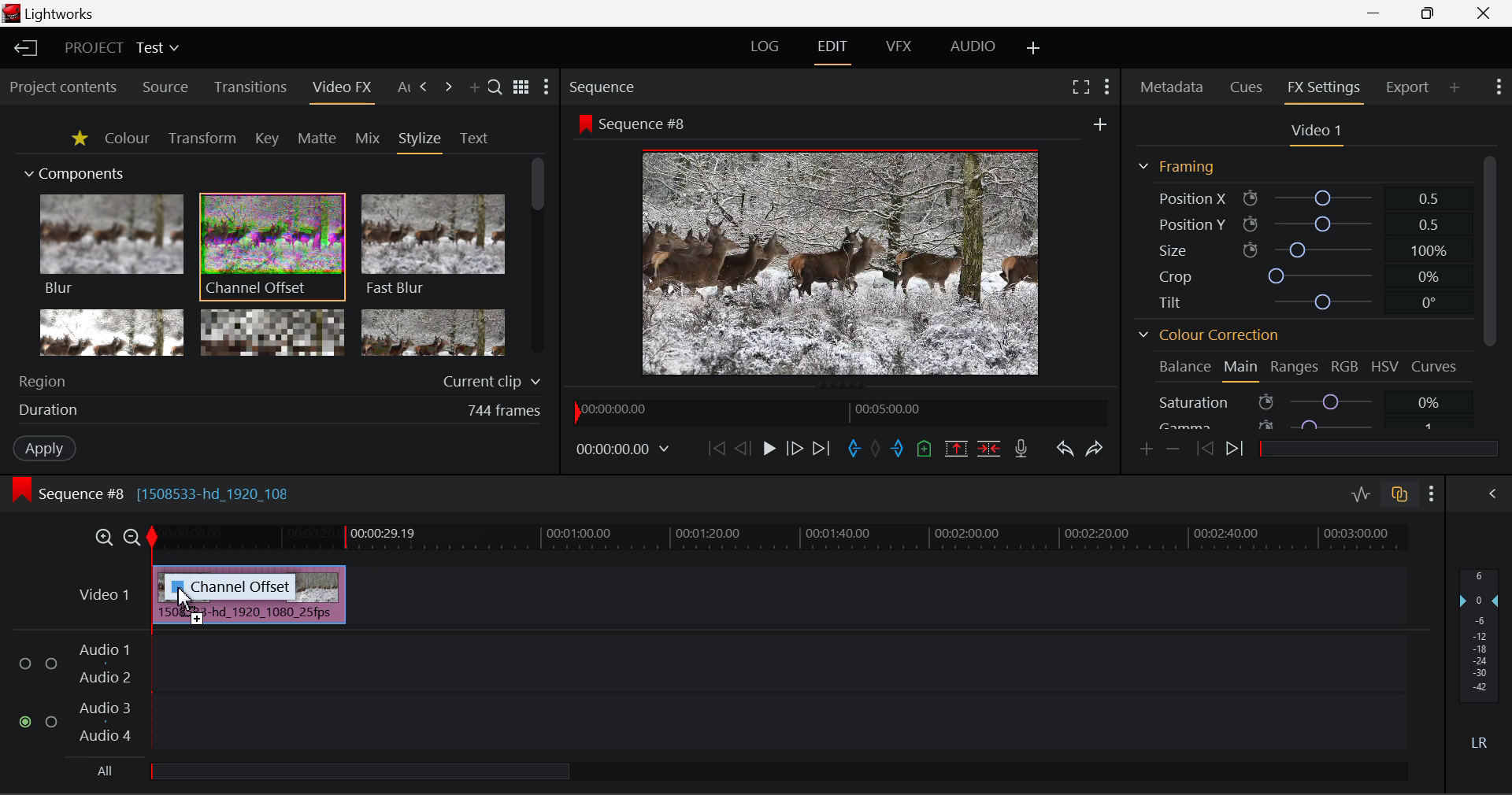 Image resolution: width=1512 pixels, height=795 pixels. I want to click on Transform, so click(202, 139).